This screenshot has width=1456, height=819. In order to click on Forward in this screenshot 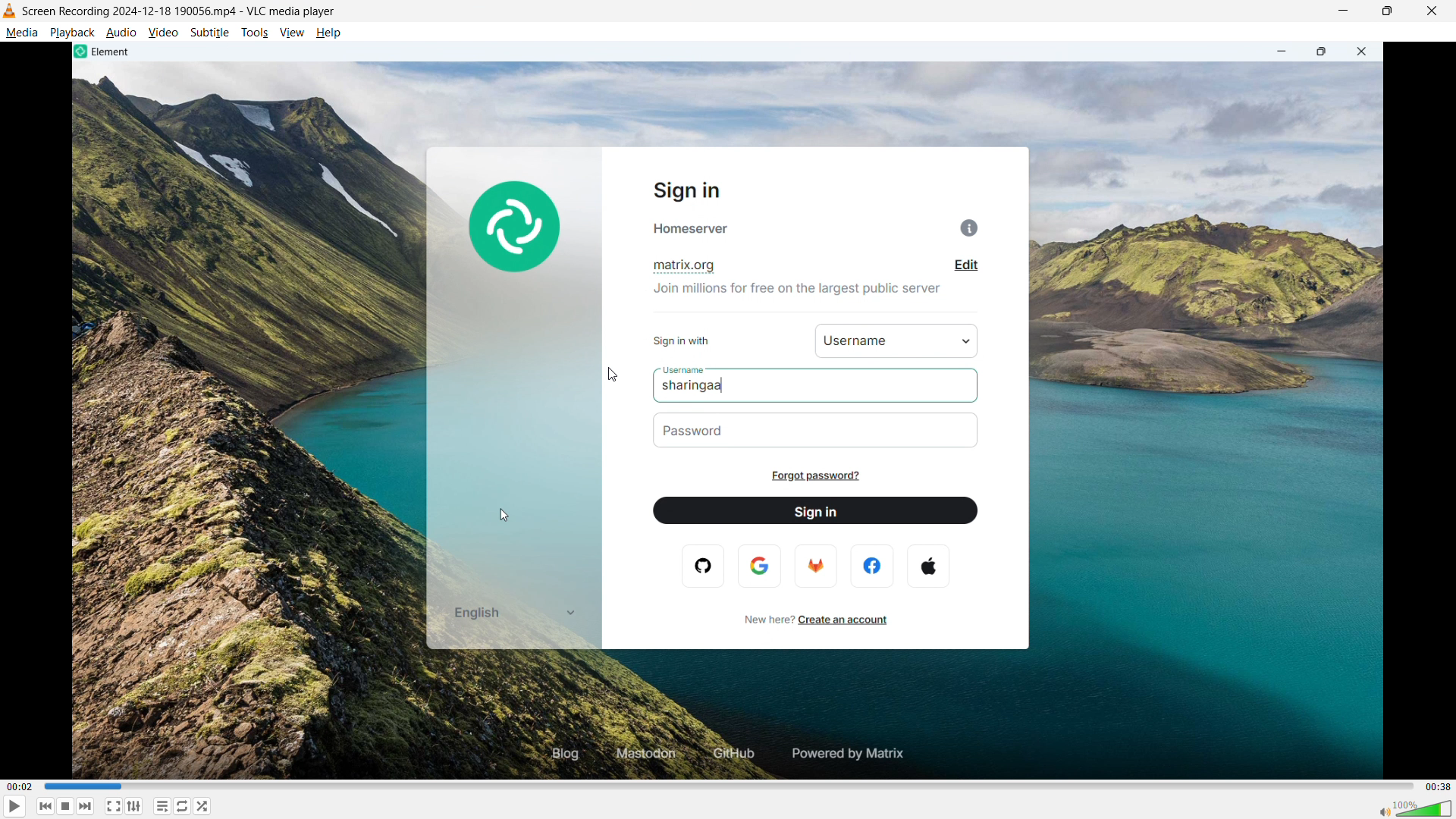, I will do `click(92, 806)`.